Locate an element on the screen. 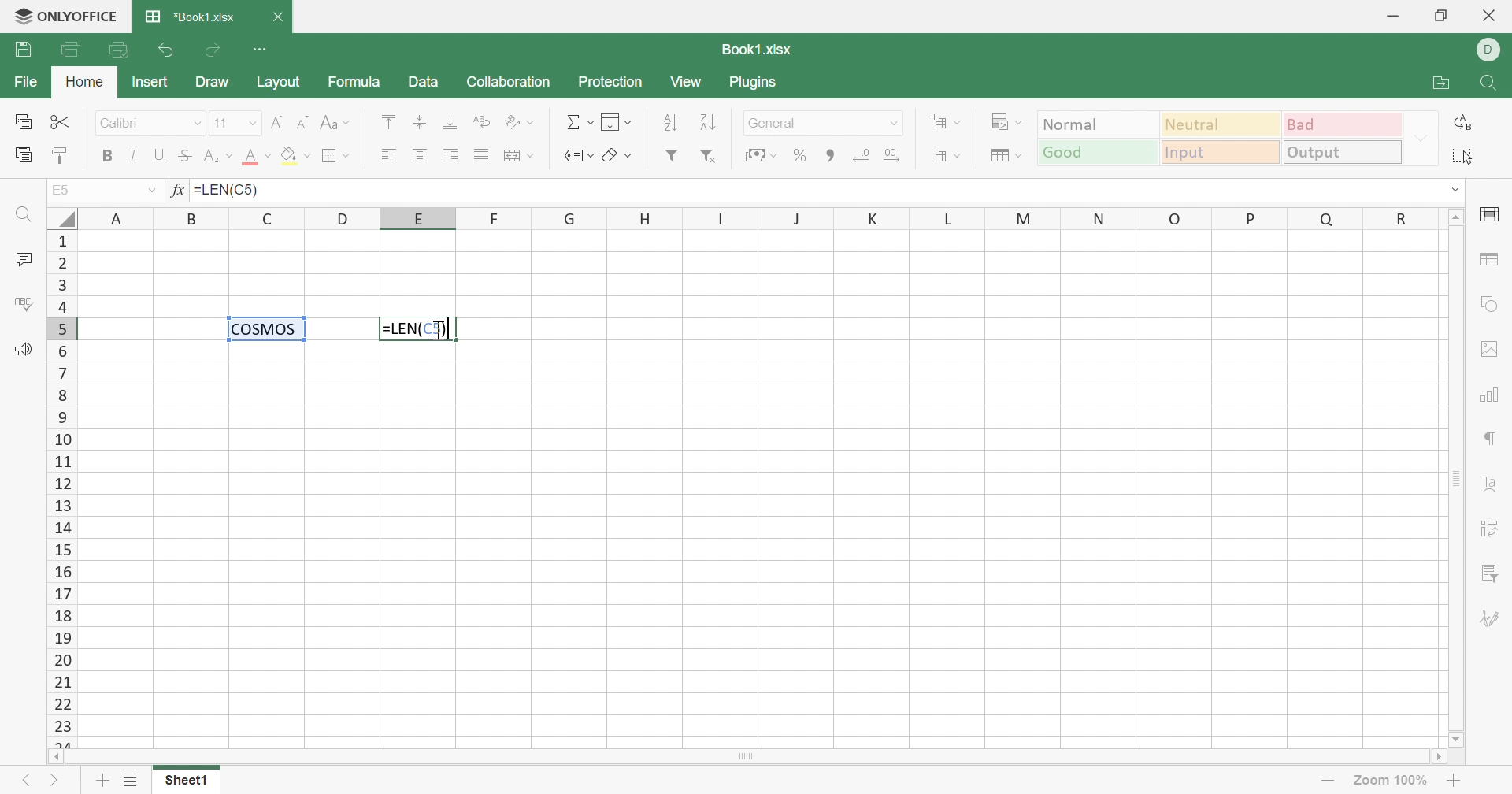 The width and height of the screenshot is (1512, 794). Conditional formatting is located at coordinates (1005, 121).